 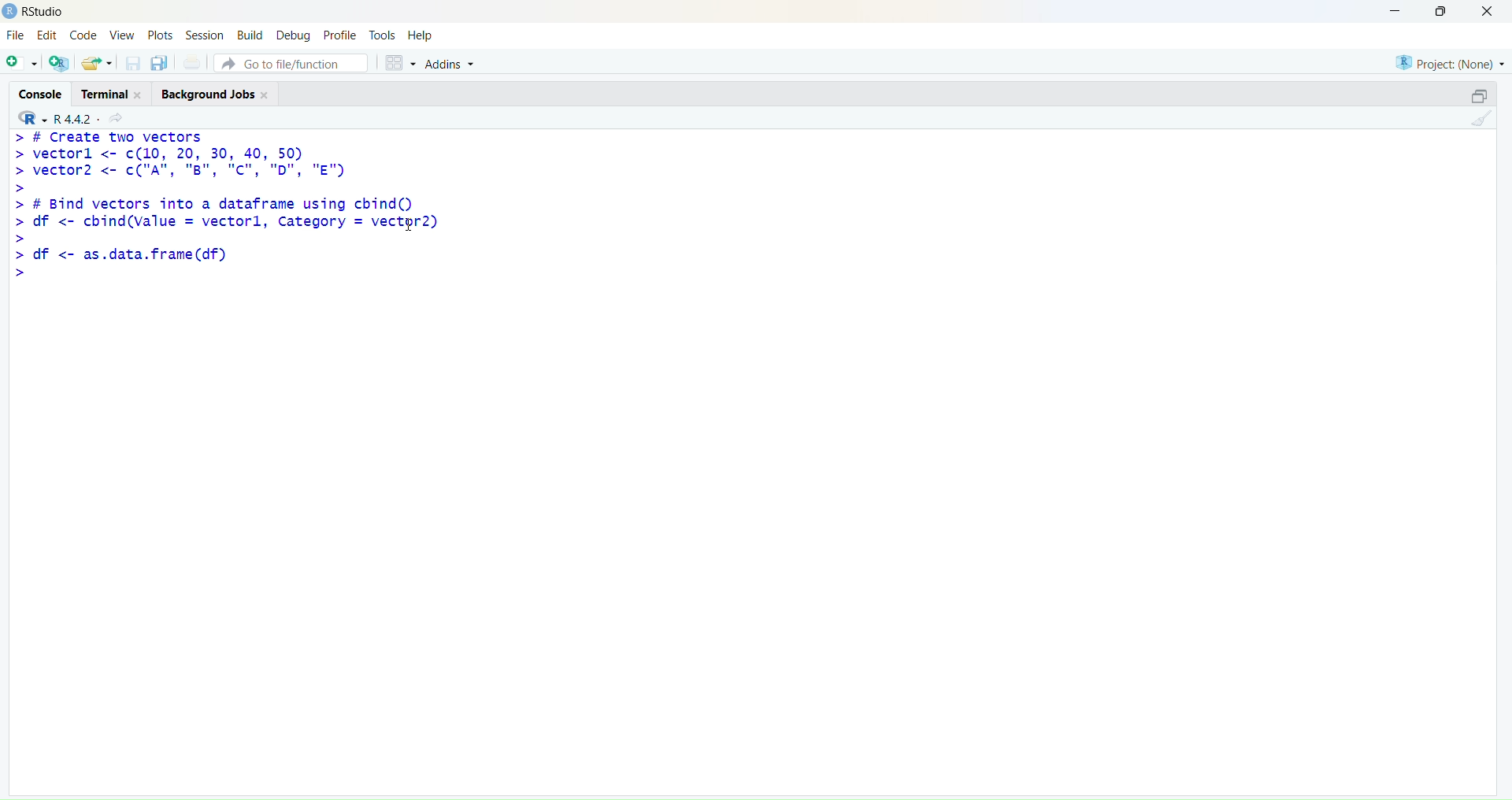 What do you see at coordinates (160, 35) in the screenshot?
I see `Plots` at bounding box center [160, 35].